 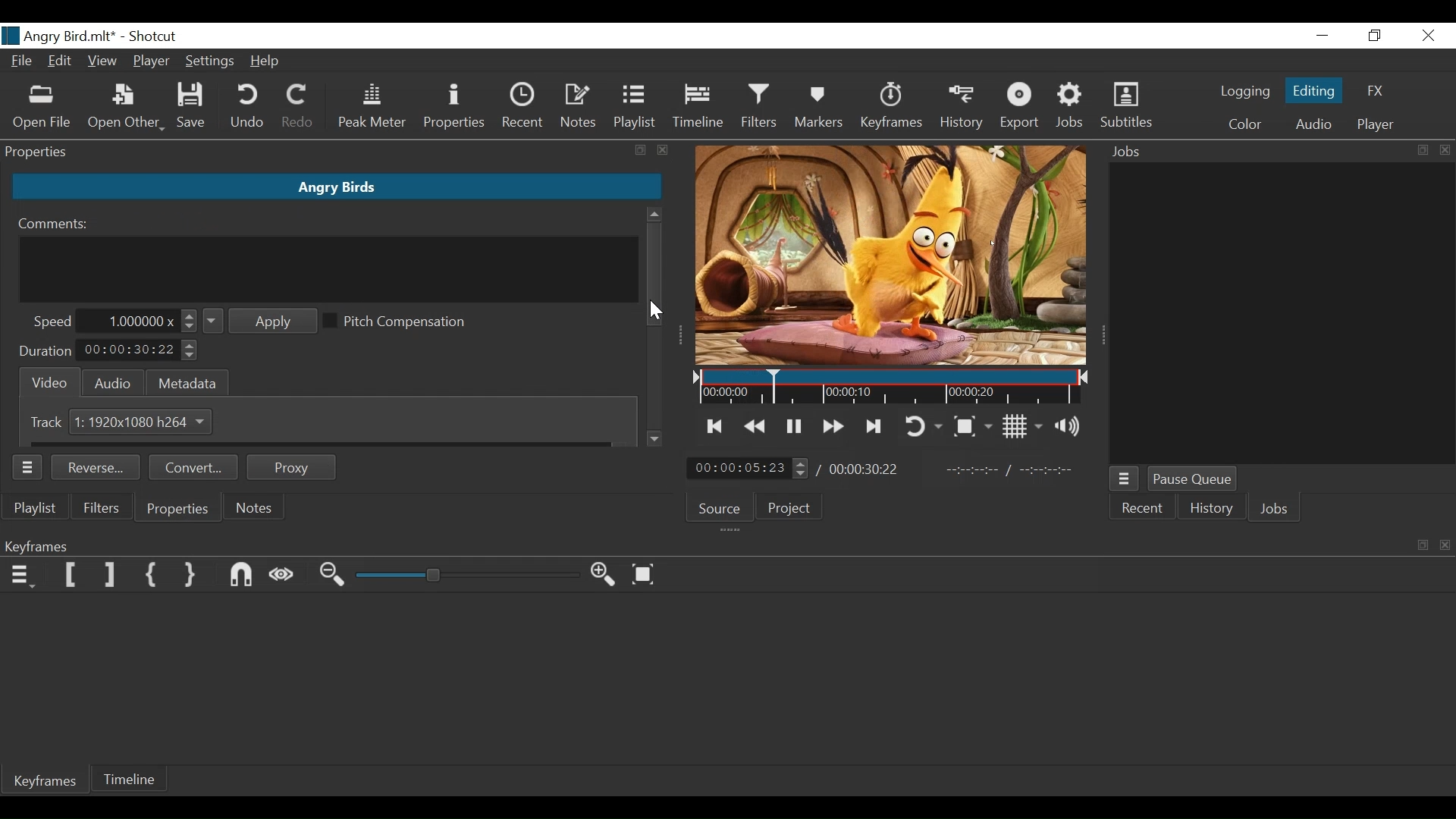 What do you see at coordinates (1375, 36) in the screenshot?
I see `Restore` at bounding box center [1375, 36].